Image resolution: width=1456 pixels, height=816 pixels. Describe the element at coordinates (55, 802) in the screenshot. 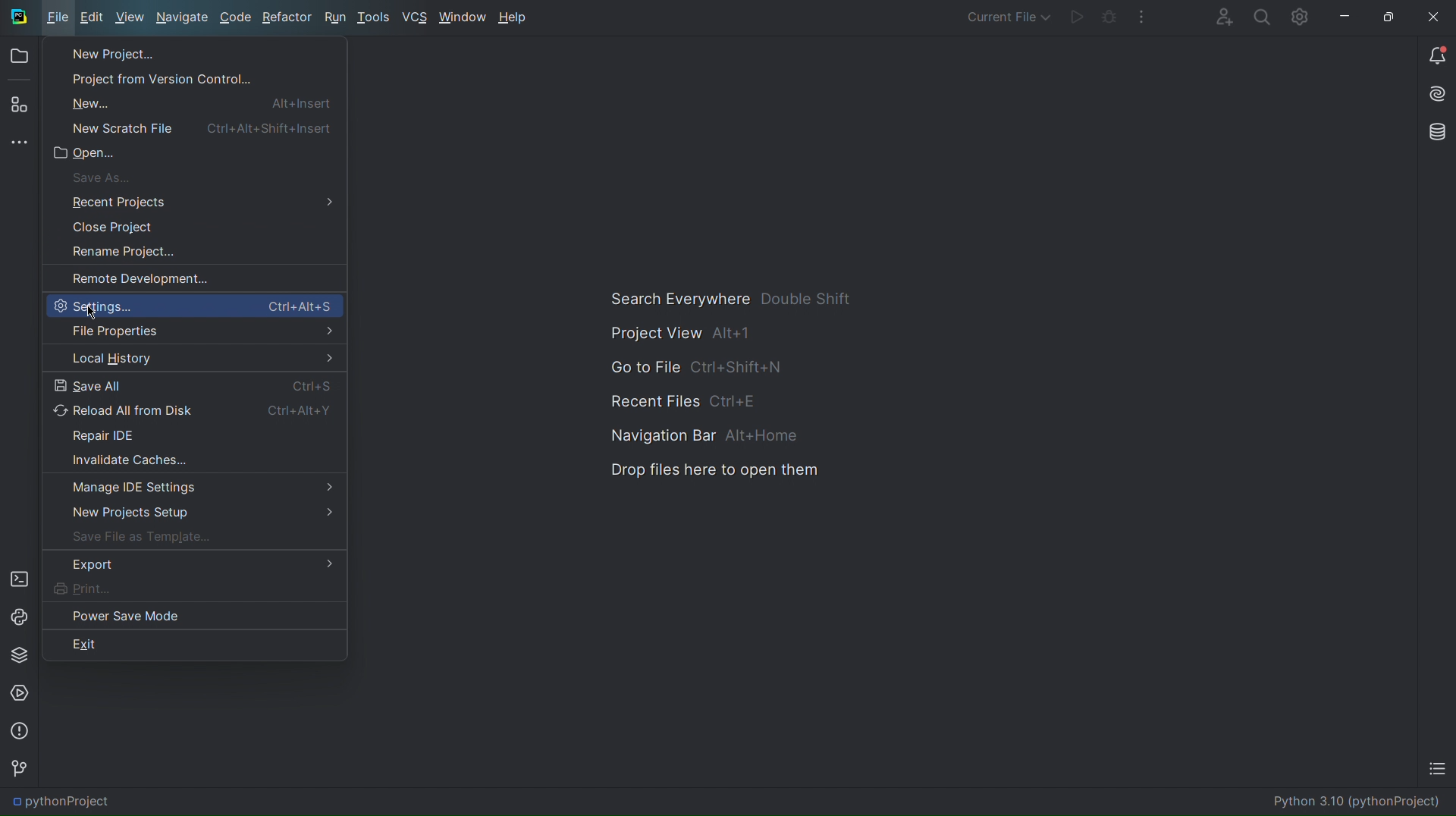

I see `pythonProject` at that location.